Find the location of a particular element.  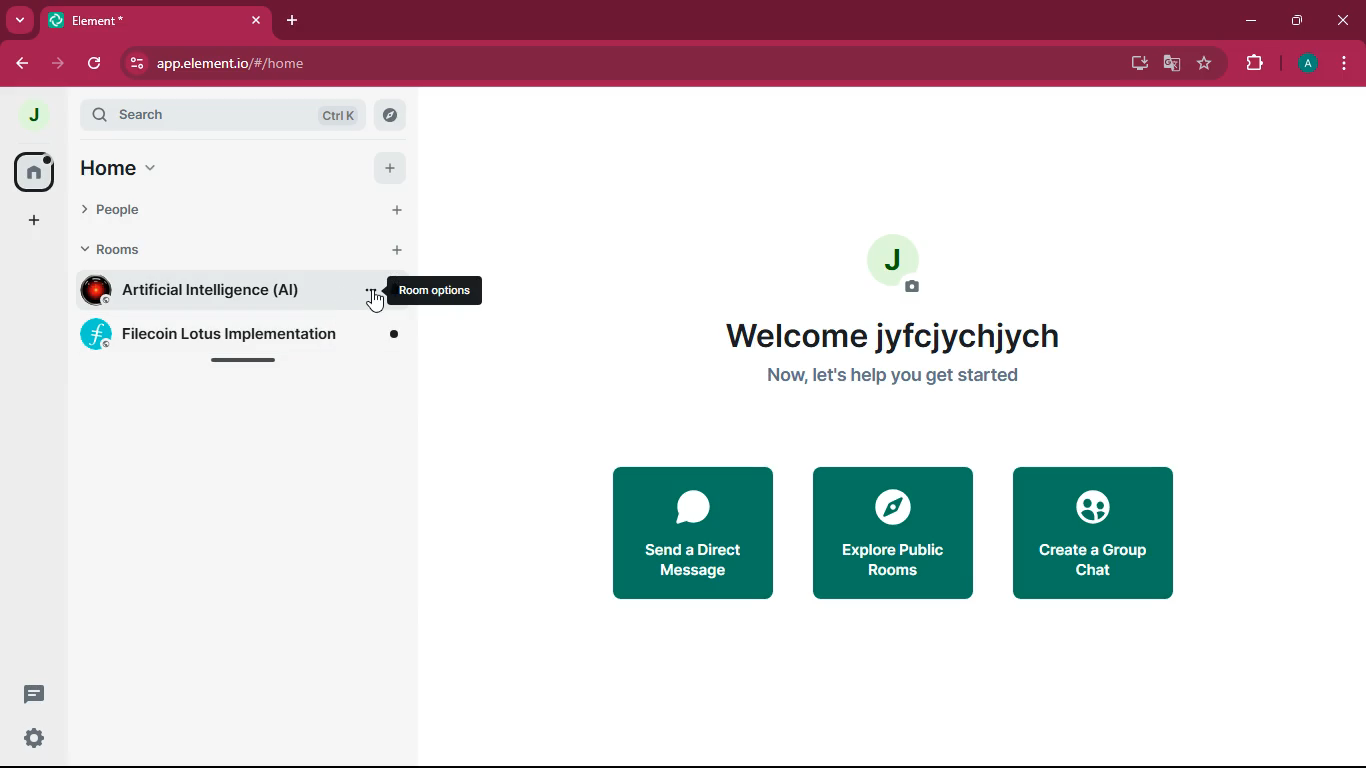

profile is located at coordinates (1310, 65).